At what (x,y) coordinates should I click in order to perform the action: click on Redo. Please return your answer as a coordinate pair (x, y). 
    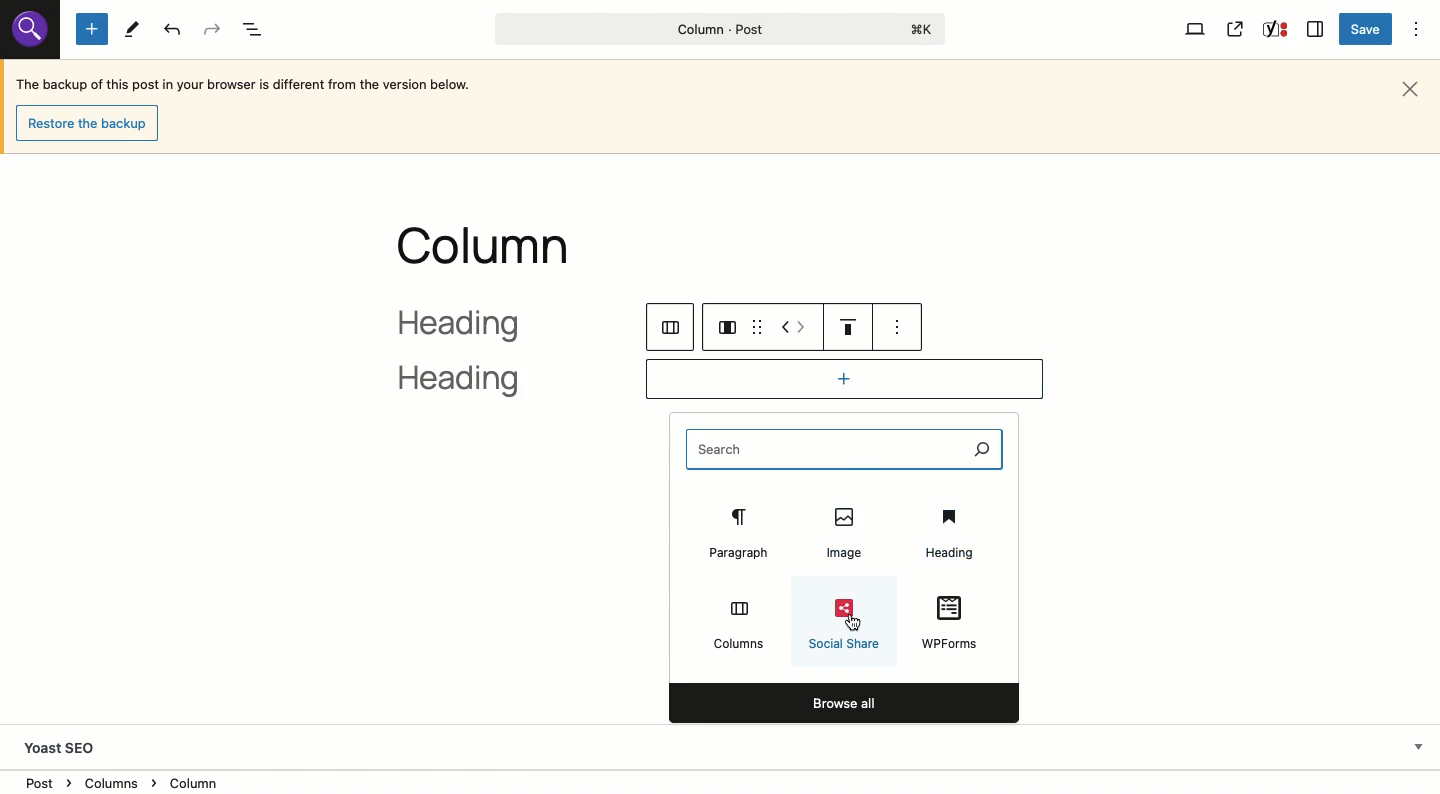
    Looking at the image, I should click on (213, 30).